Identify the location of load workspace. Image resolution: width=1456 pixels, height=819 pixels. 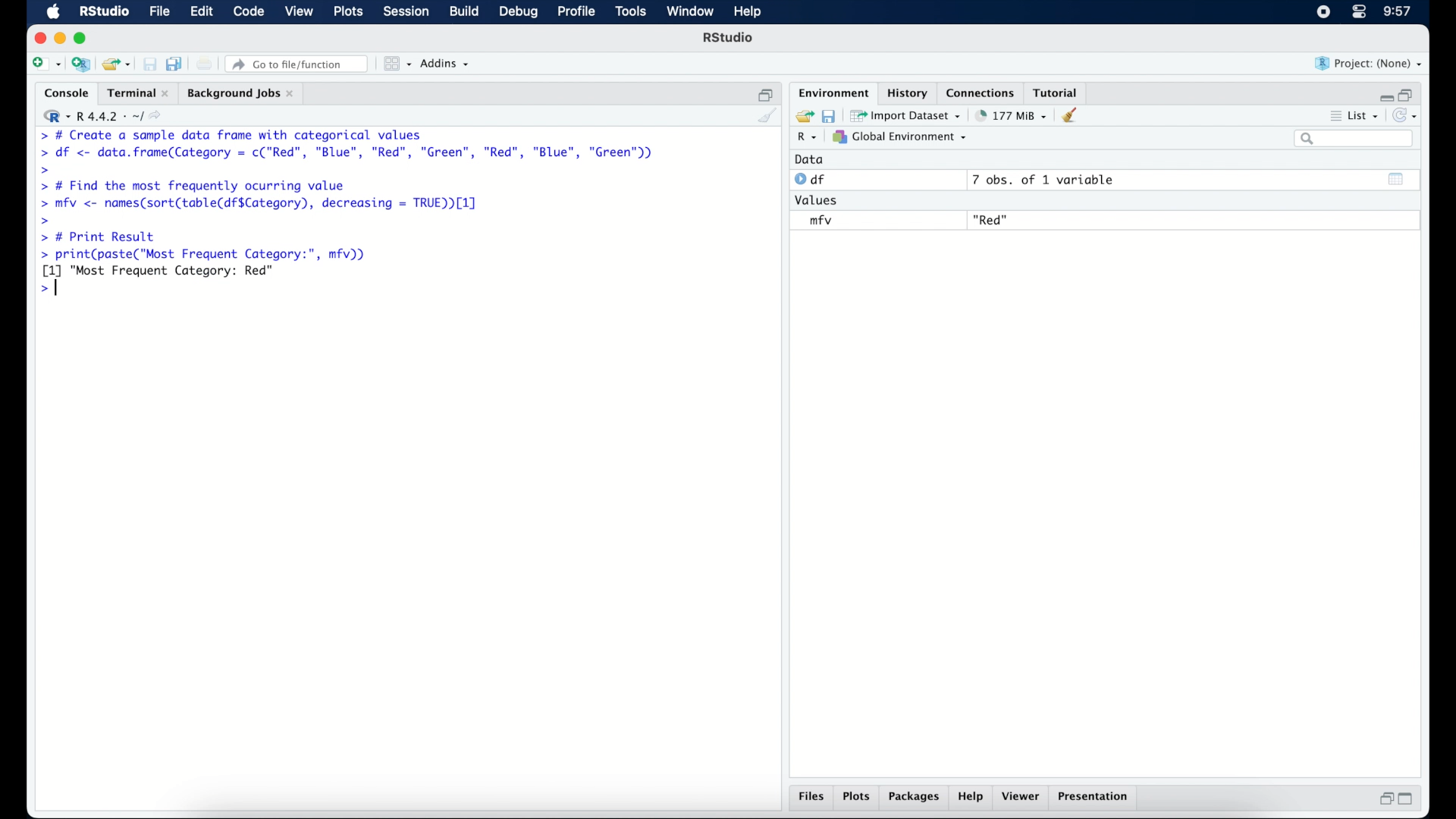
(802, 114).